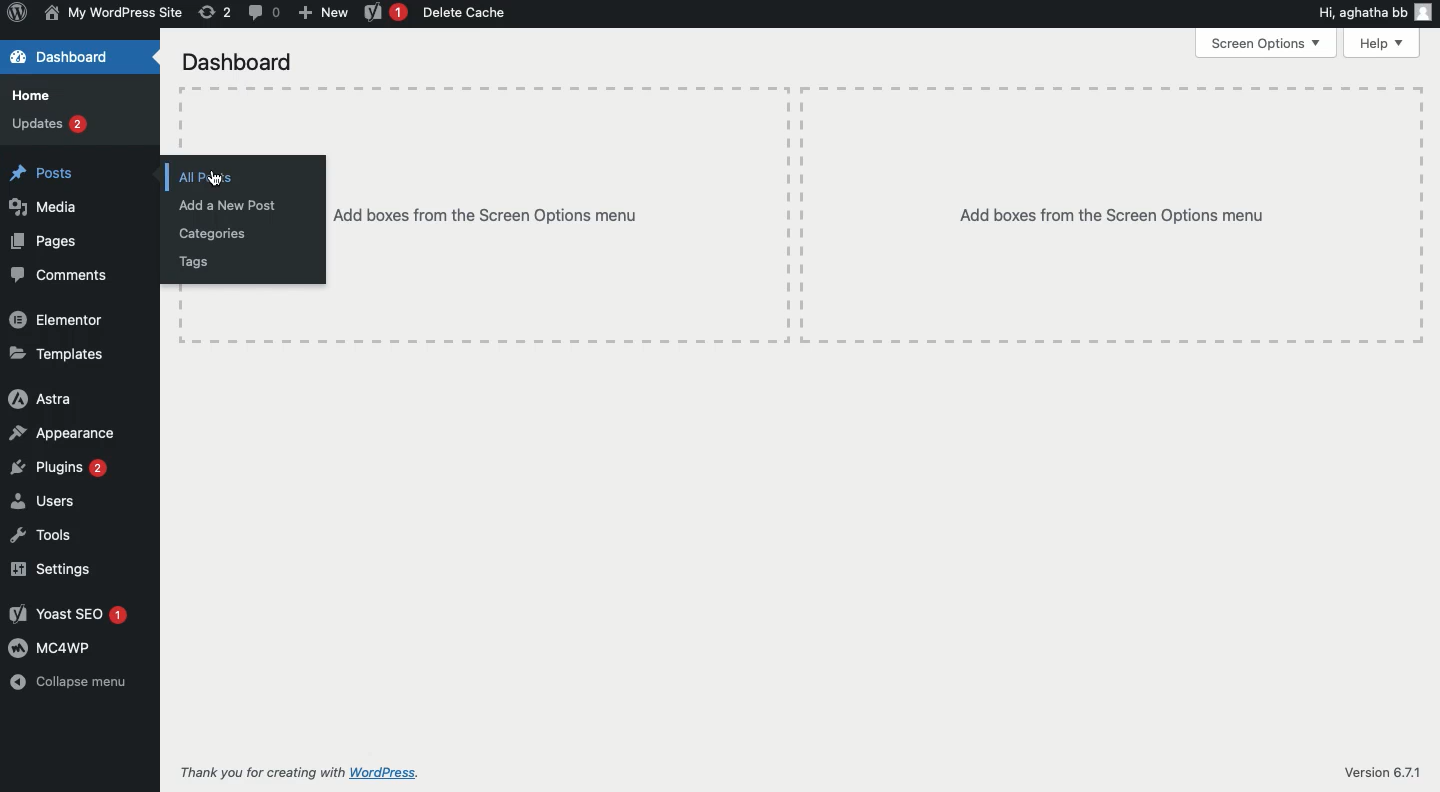  I want to click on Yoast, so click(66, 615).